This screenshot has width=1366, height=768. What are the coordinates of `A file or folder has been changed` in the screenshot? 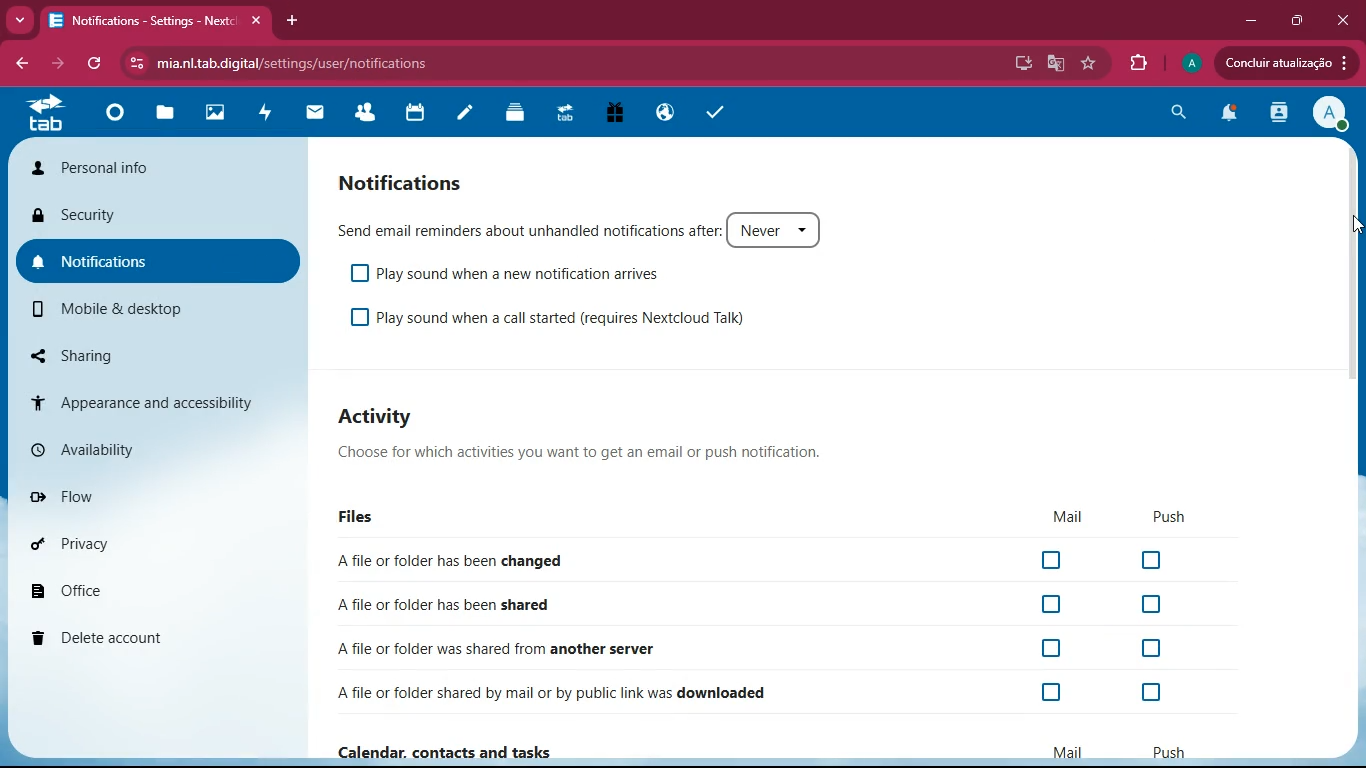 It's located at (453, 563).